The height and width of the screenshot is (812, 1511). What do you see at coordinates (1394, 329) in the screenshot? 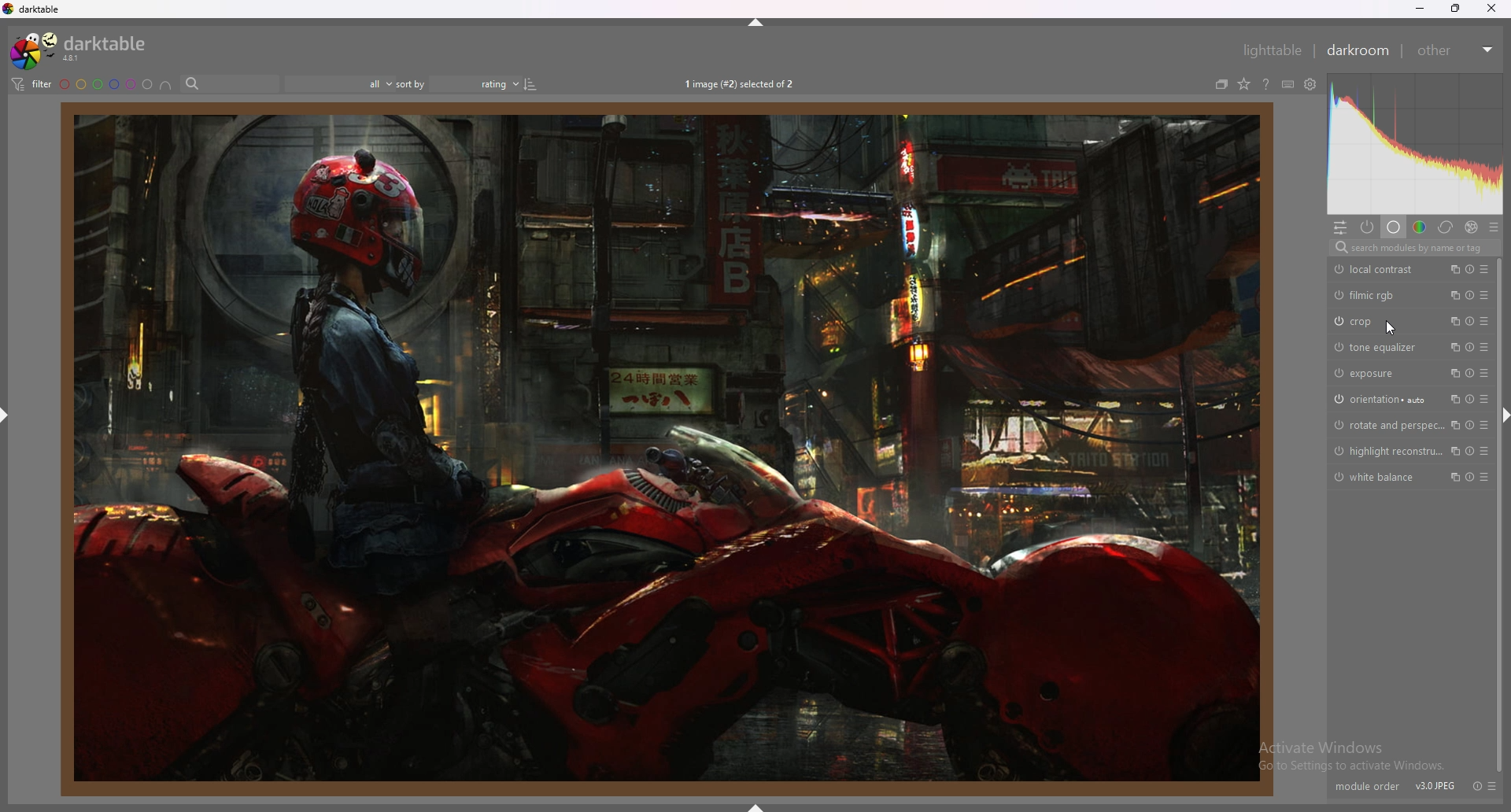
I see `cursor` at bounding box center [1394, 329].